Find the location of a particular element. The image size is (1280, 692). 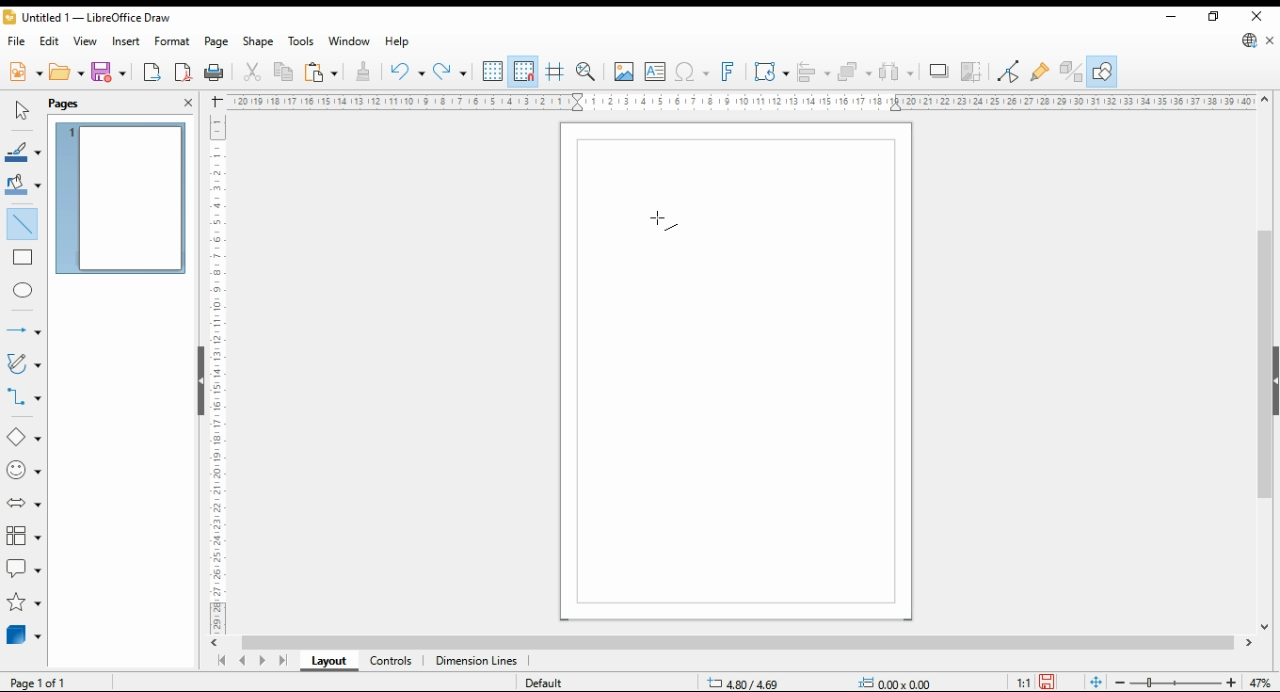

shadow is located at coordinates (940, 71).